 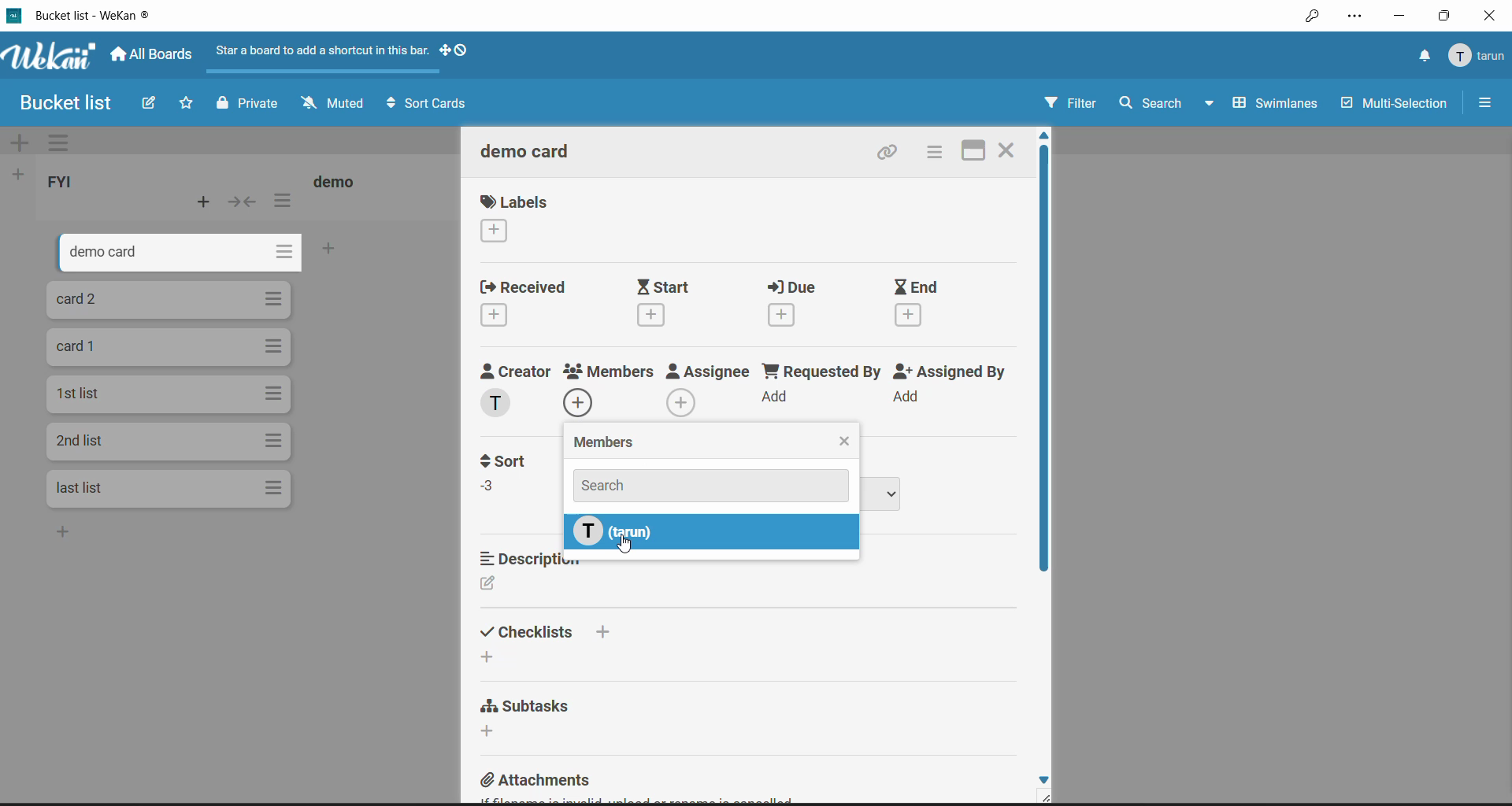 I want to click on all boards, so click(x=154, y=54).